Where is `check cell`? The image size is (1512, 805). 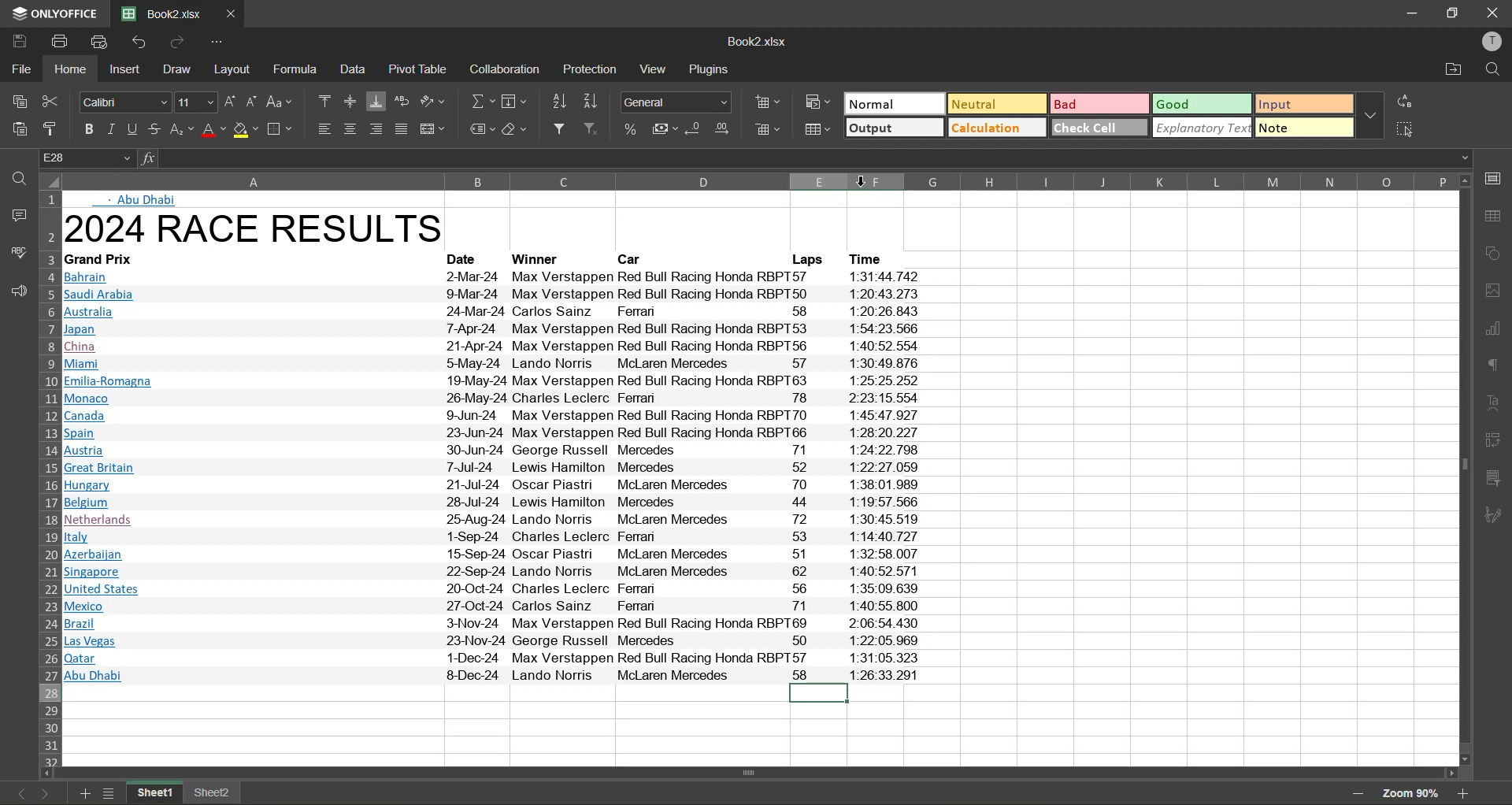
check cell is located at coordinates (1100, 128).